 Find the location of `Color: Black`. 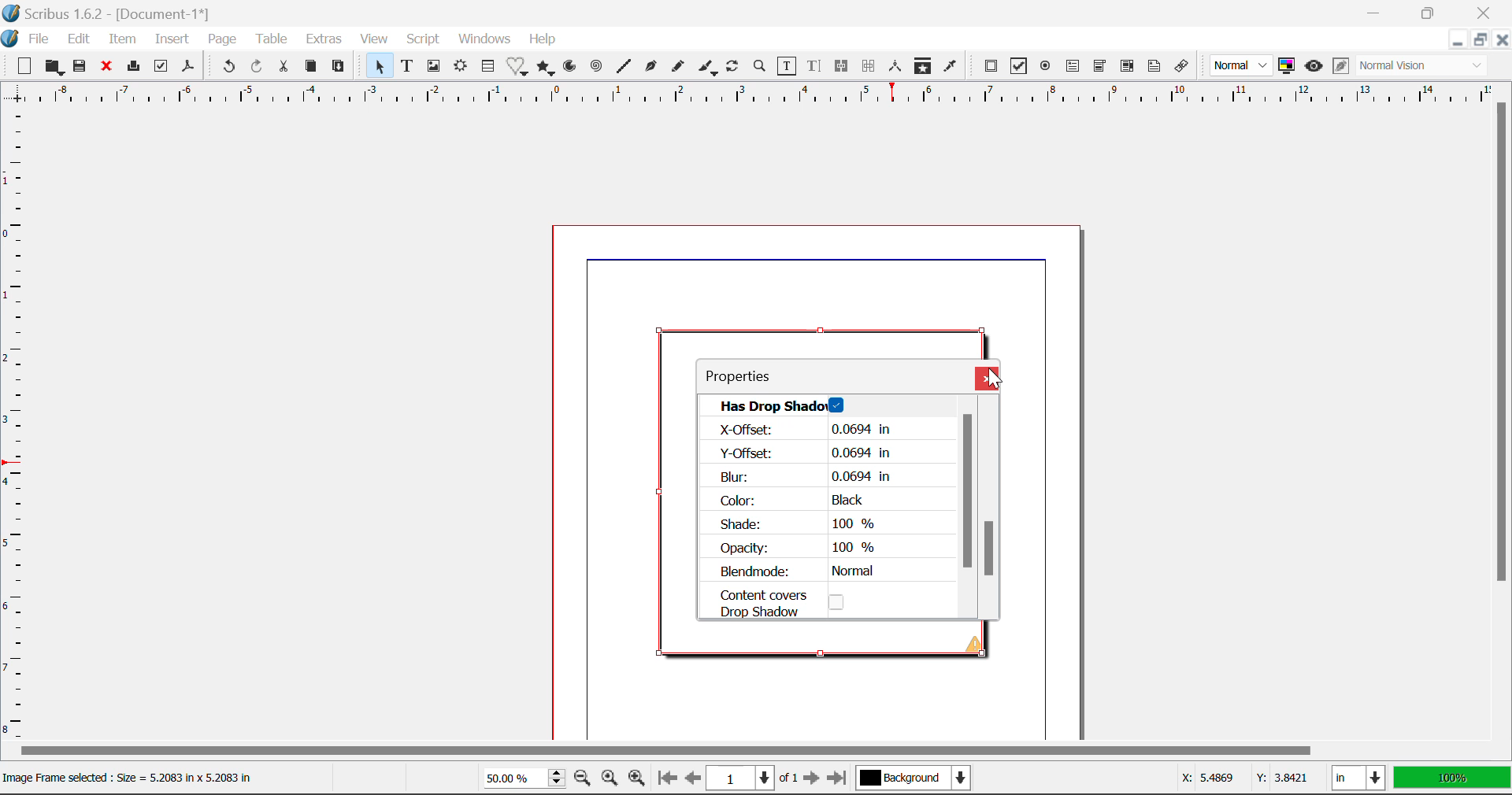

Color: Black is located at coordinates (795, 500).